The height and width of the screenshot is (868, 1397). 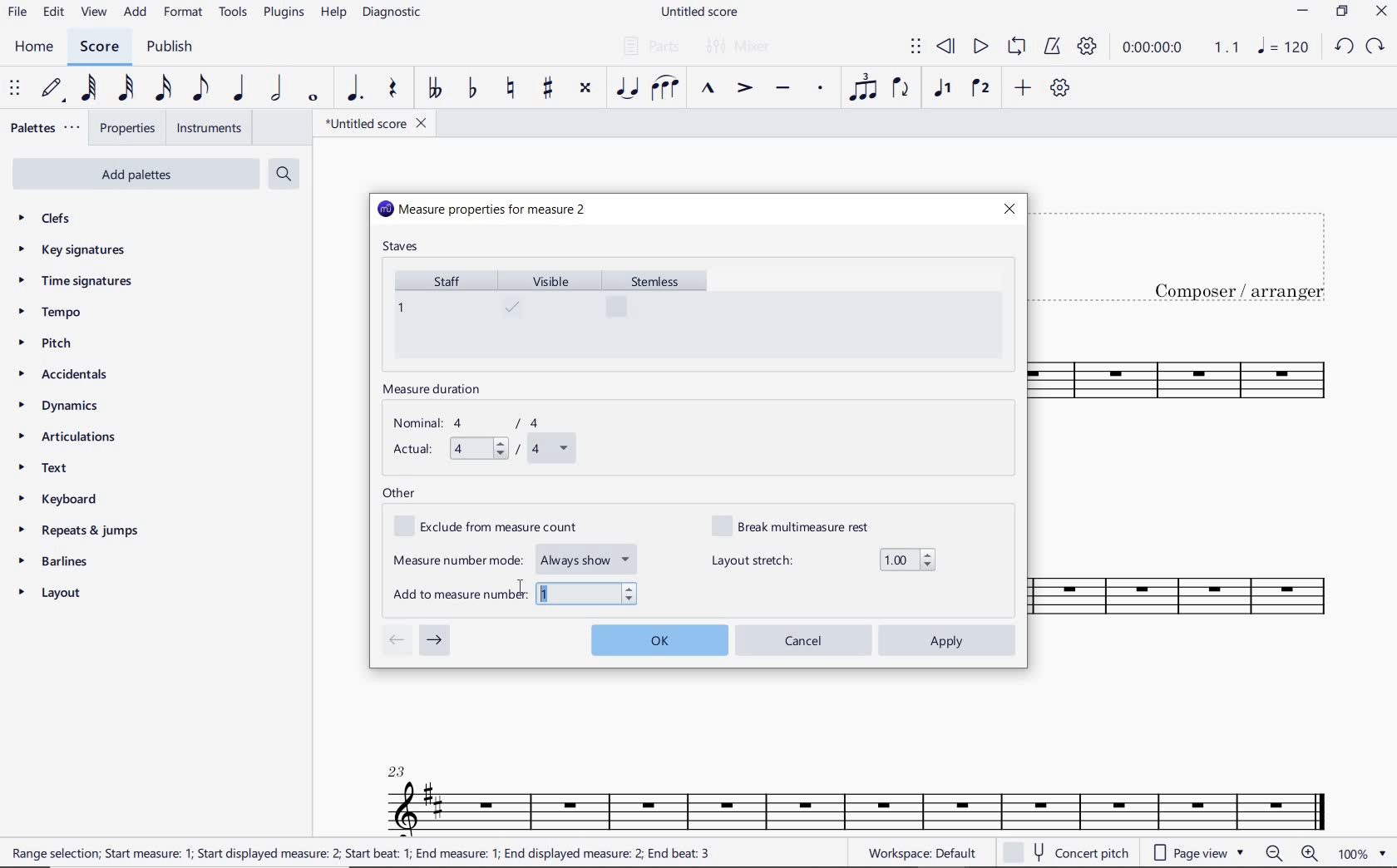 I want to click on PLAYBACK SETTINGS, so click(x=1087, y=47).